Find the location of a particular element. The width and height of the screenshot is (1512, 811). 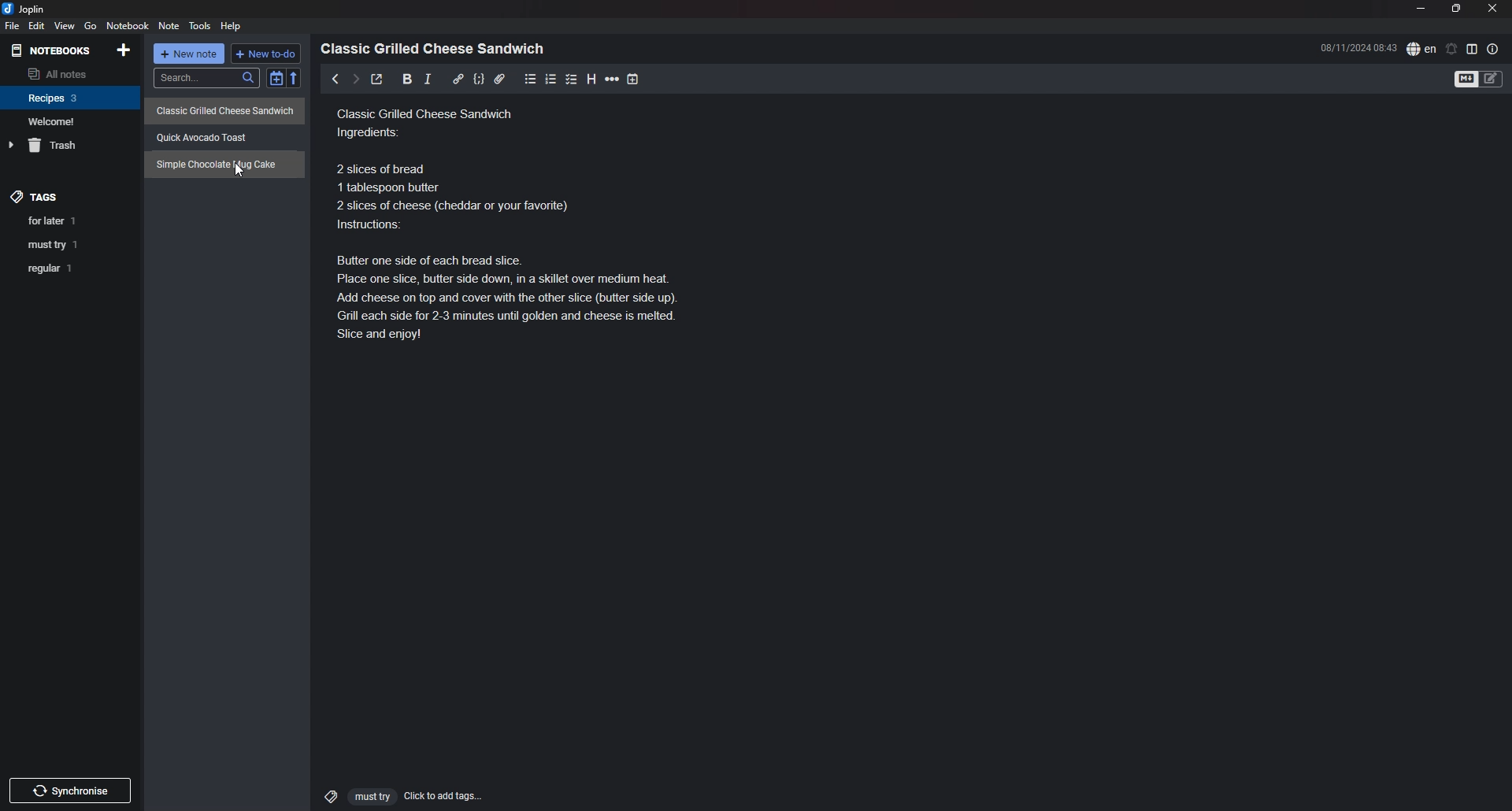

toggle editor is located at coordinates (1480, 80).